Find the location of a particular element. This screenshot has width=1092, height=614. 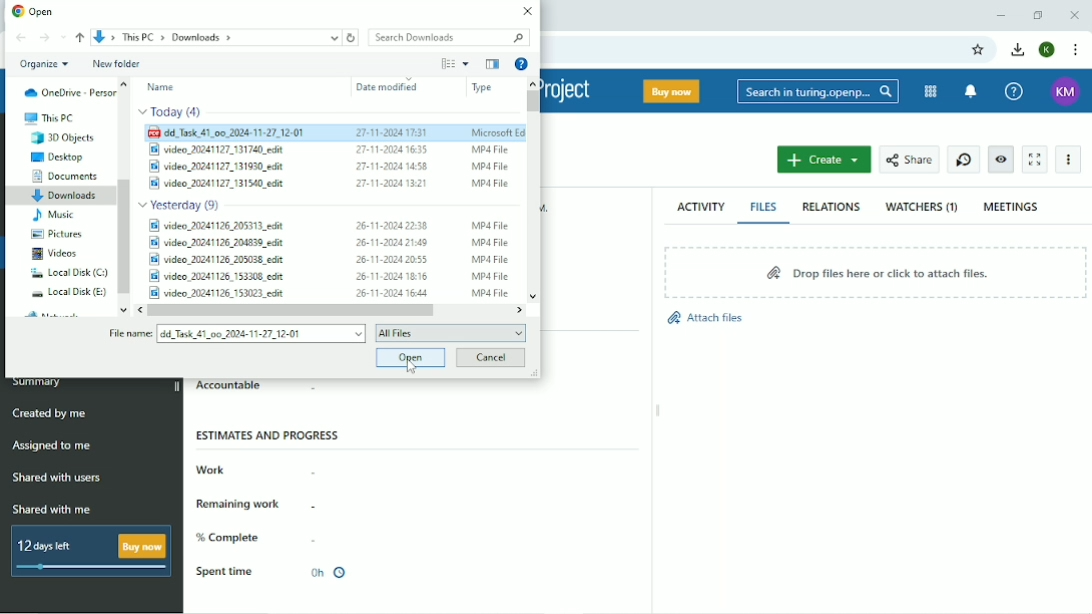

KM is located at coordinates (1067, 92).